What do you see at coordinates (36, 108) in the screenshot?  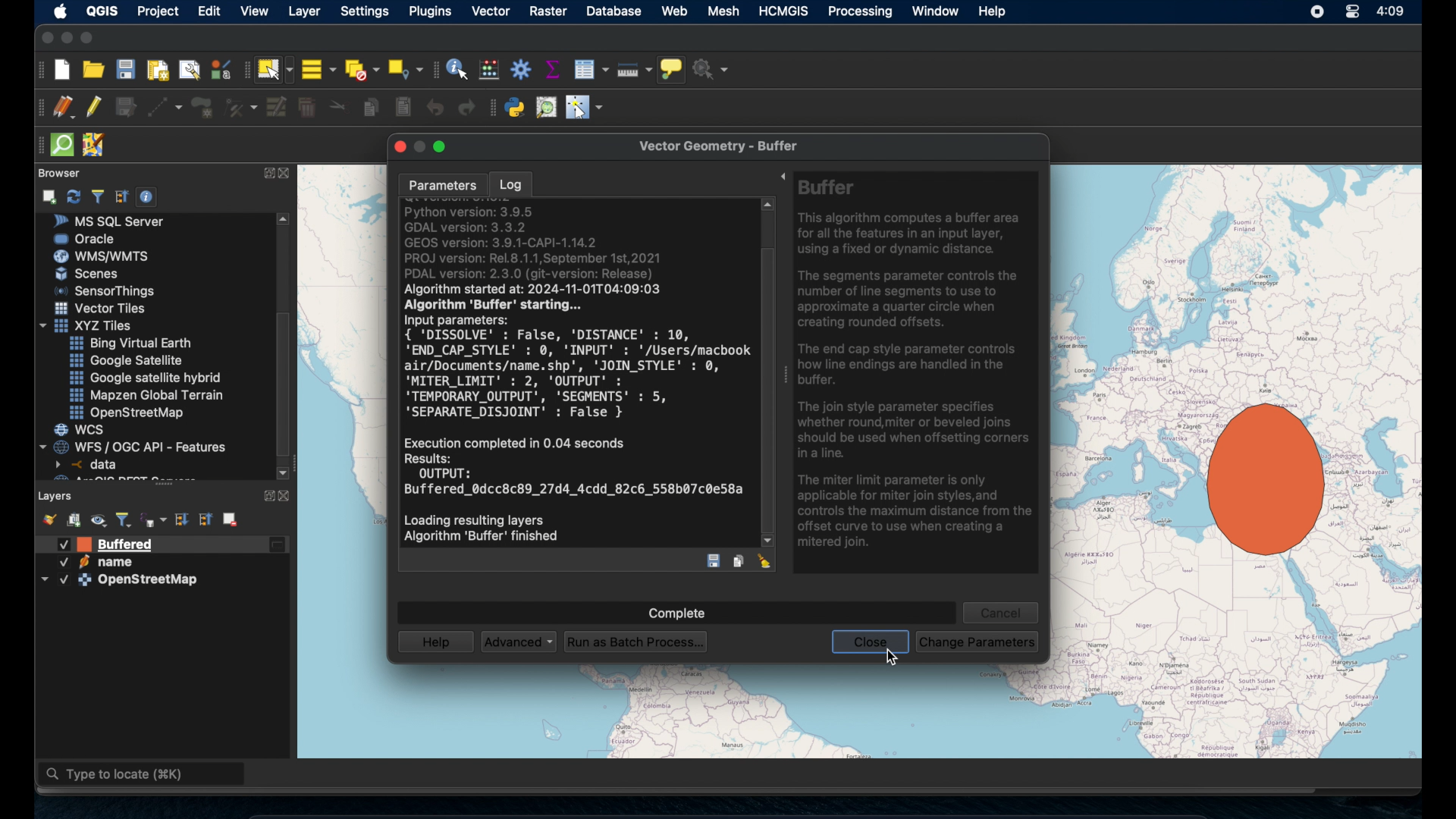 I see `digitizing toolbar` at bounding box center [36, 108].